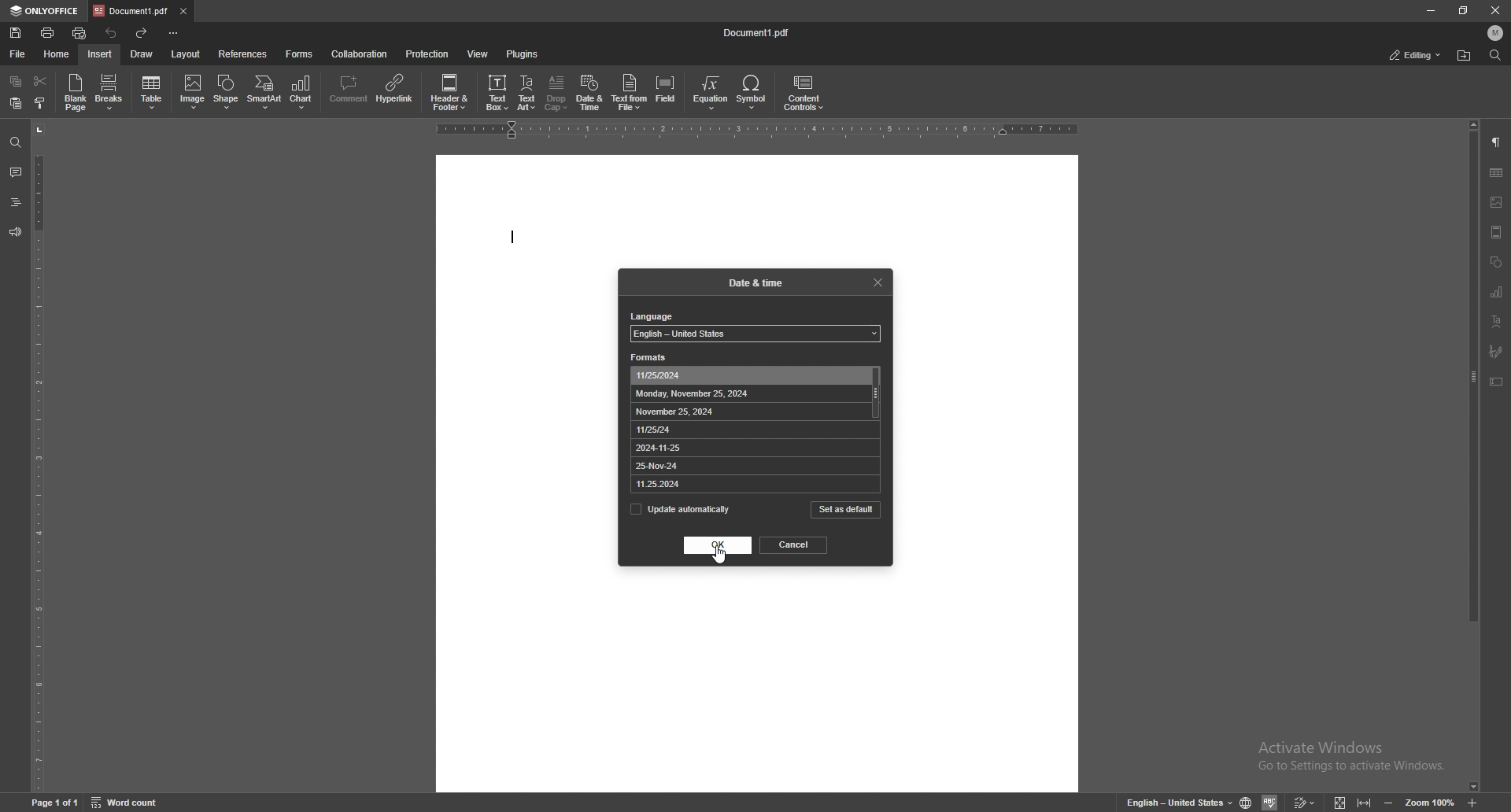 The height and width of the screenshot is (812, 1511). I want to click on text align, so click(1498, 321).